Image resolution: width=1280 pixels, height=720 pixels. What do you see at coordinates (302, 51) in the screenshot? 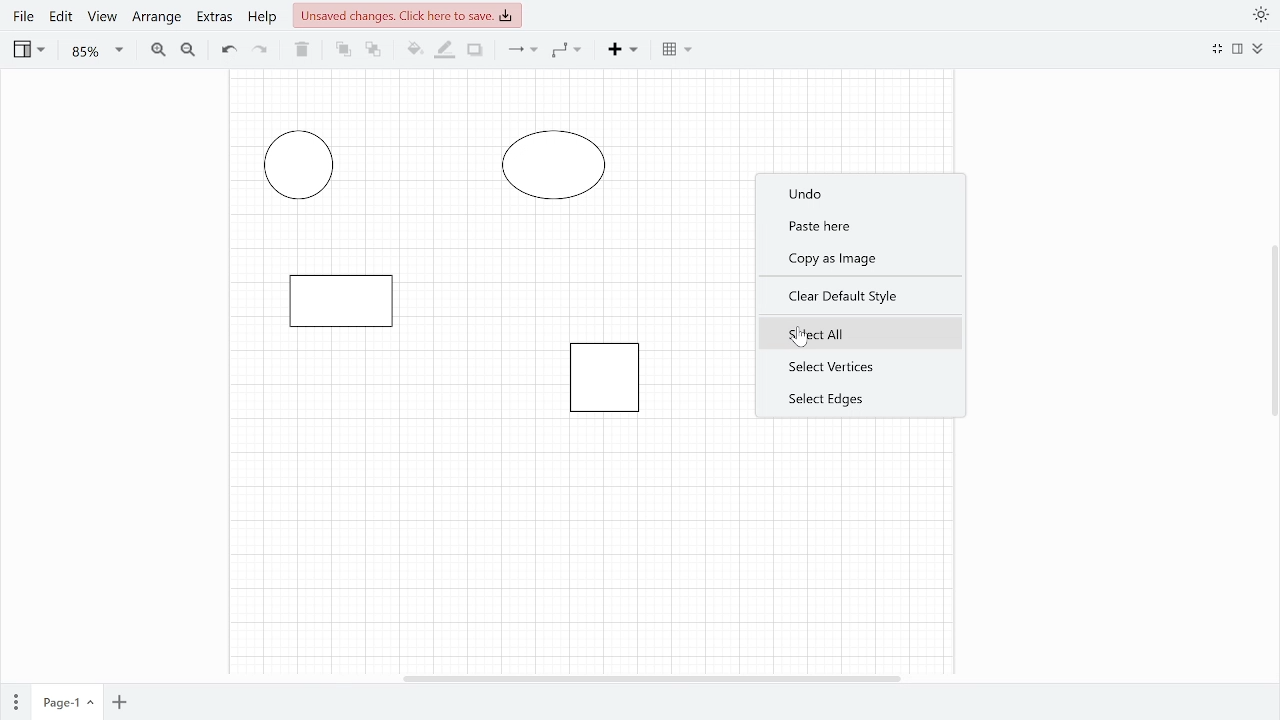
I see `Delete` at bounding box center [302, 51].